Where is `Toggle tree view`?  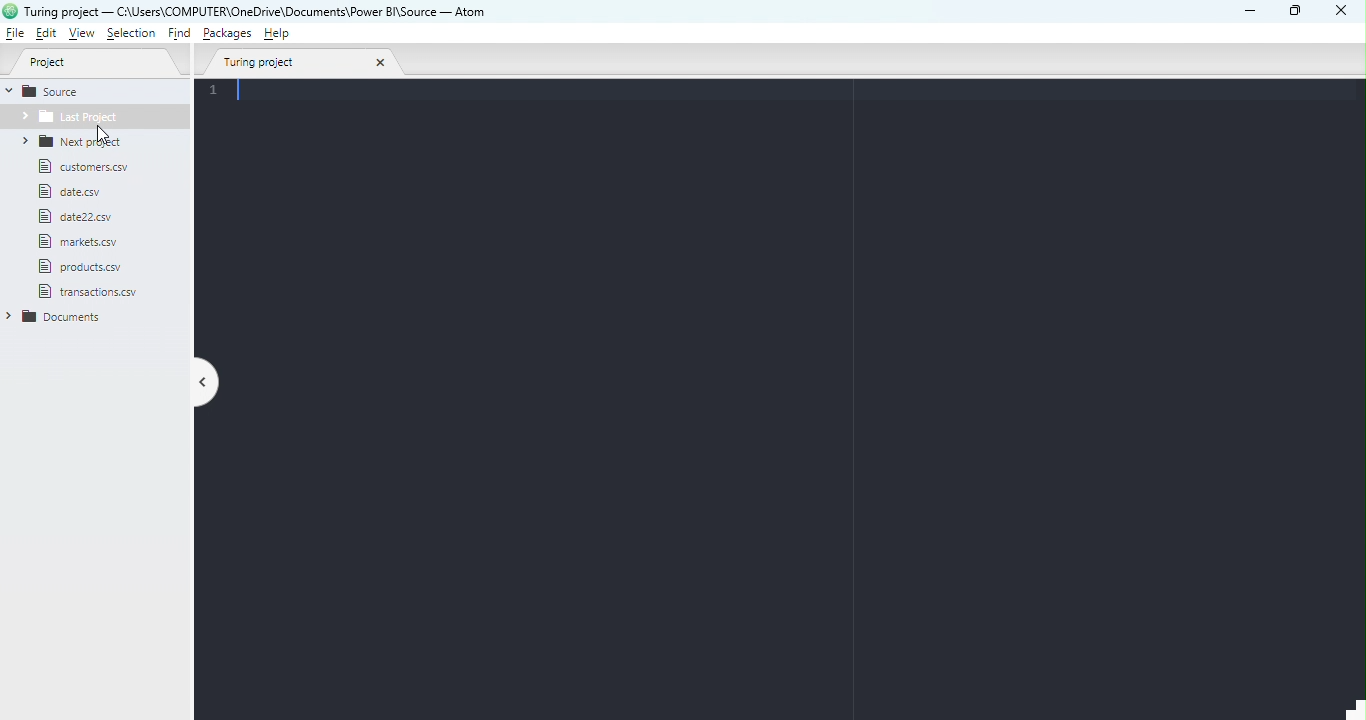 Toggle tree view is located at coordinates (208, 384).